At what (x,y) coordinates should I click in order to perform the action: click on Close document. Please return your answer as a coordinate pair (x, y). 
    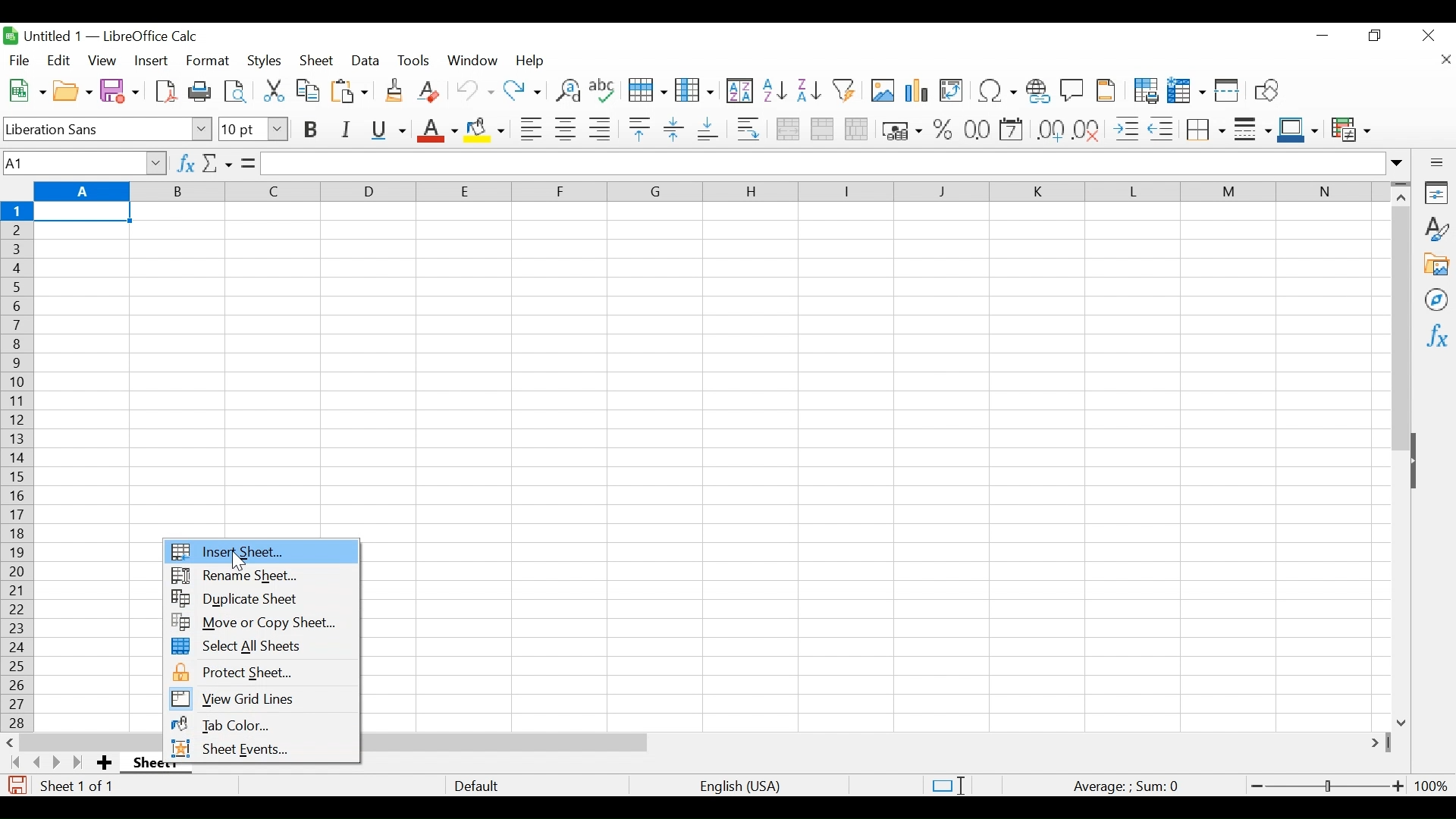
    Looking at the image, I should click on (1446, 60).